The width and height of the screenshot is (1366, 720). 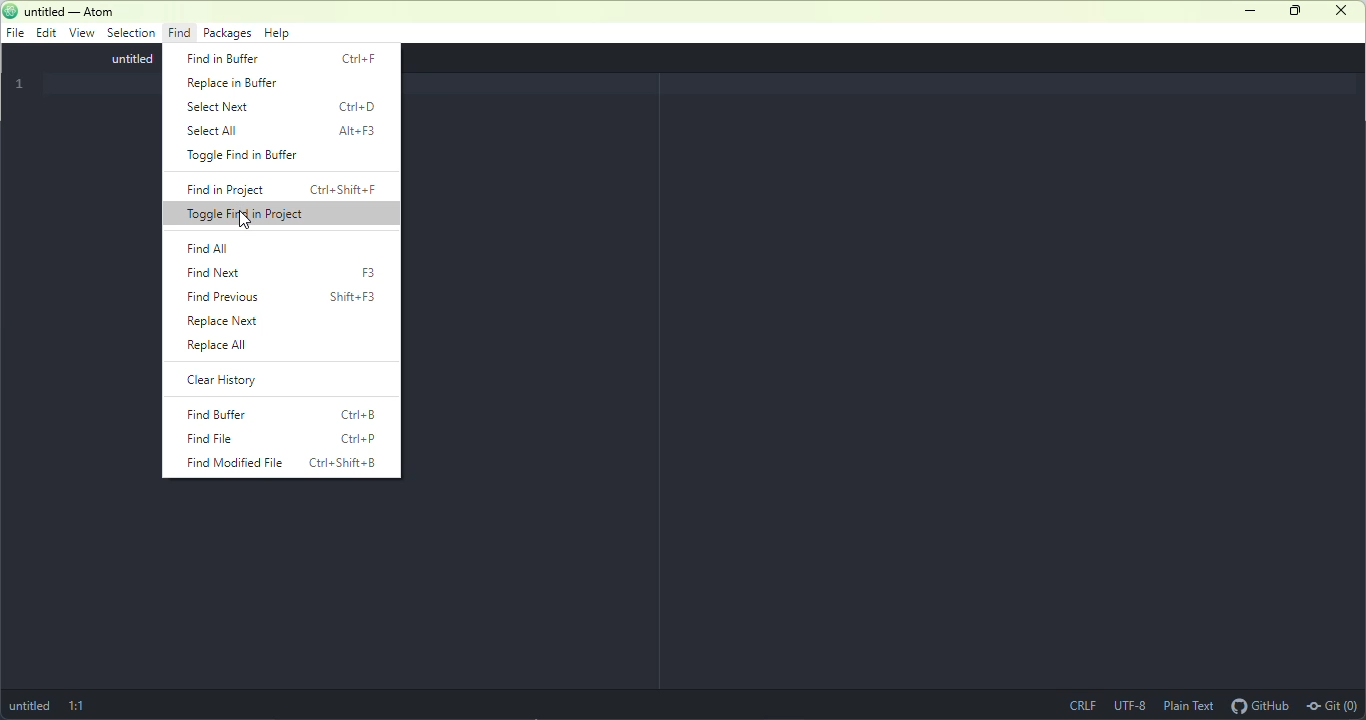 What do you see at coordinates (248, 380) in the screenshot?
I see `clear history` at bounding box center [248, 380].